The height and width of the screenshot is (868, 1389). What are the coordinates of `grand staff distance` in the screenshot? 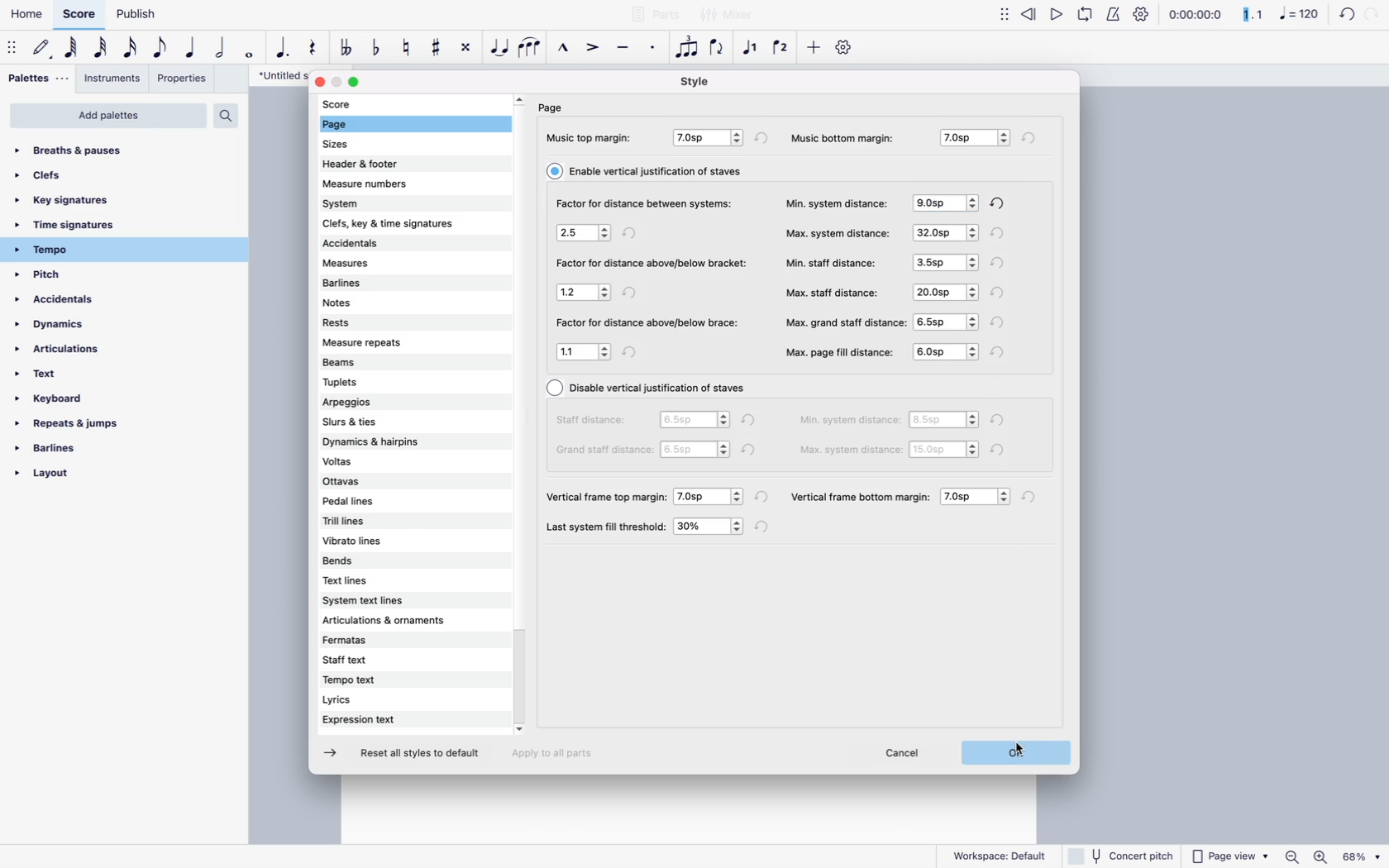 It's located at (599, 452).